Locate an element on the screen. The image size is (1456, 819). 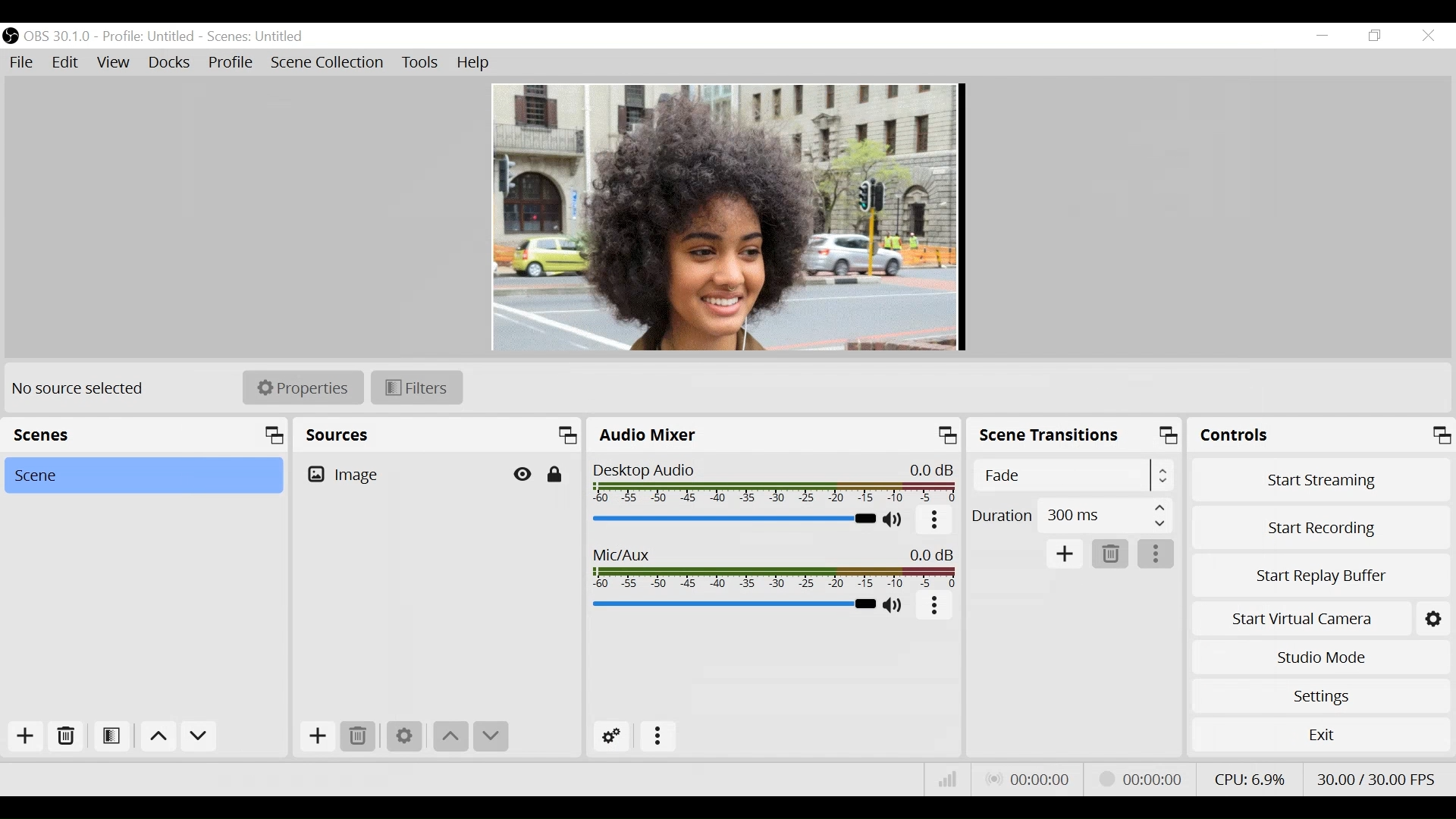
Controls Panel is located at coordinates (1321, 435).